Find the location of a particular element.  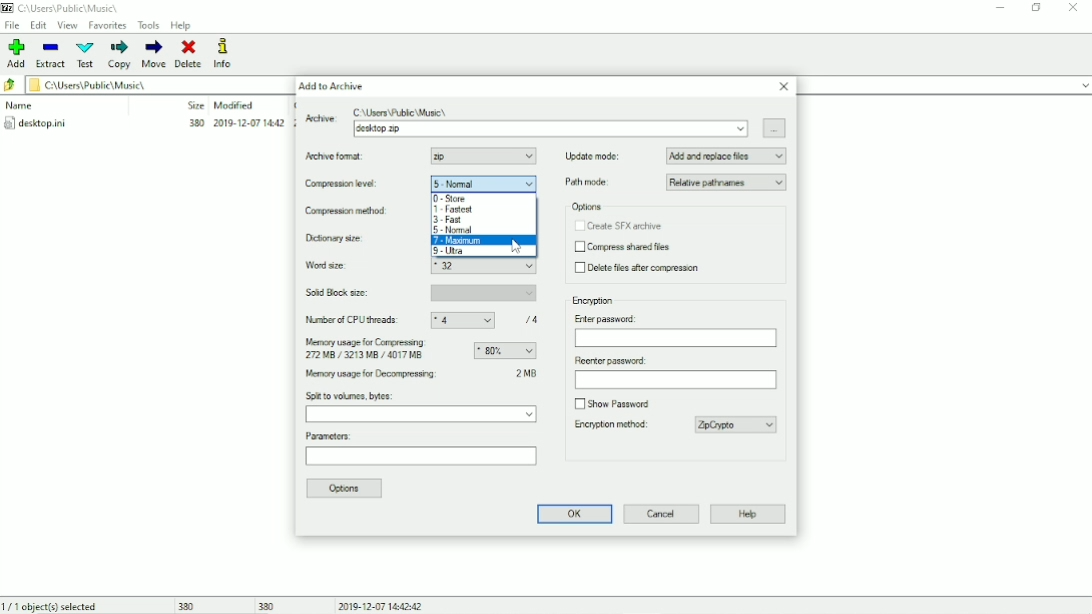

Add is located at coordinates (17, 53).